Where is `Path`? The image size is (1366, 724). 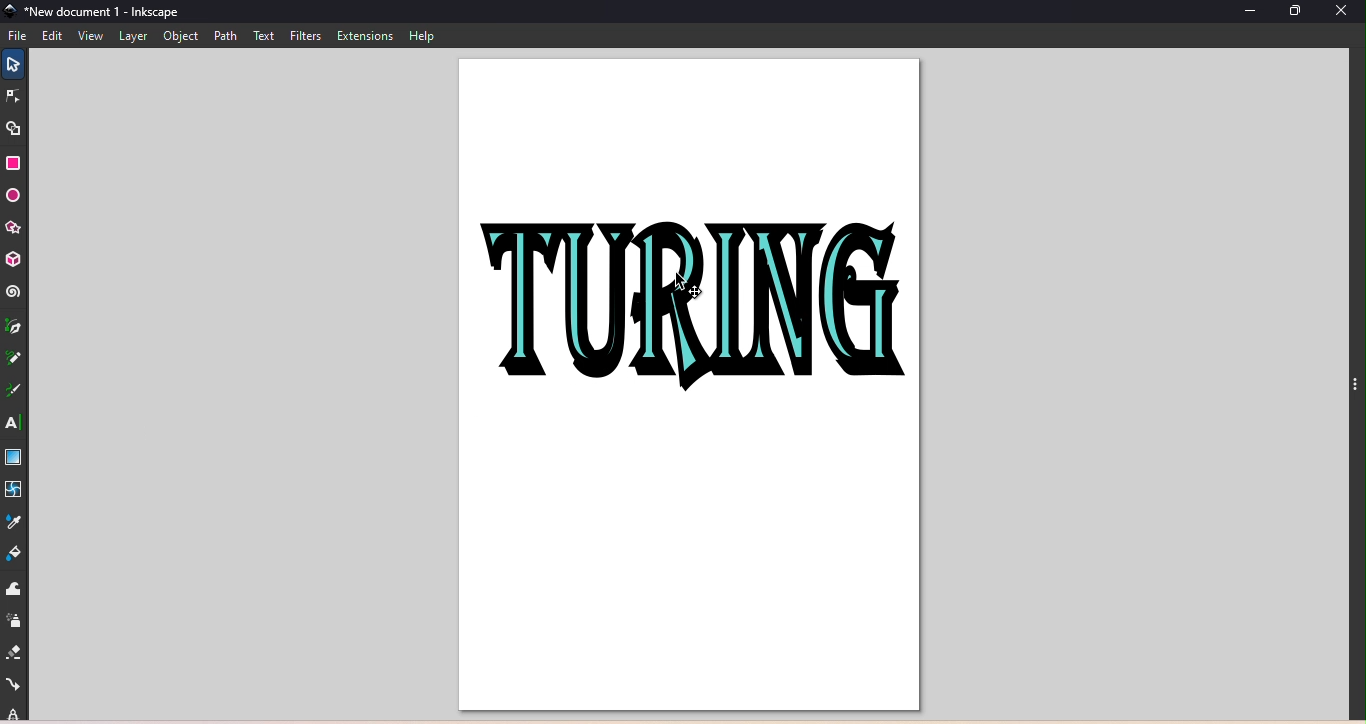
Path is located at coordinates (224, 36).